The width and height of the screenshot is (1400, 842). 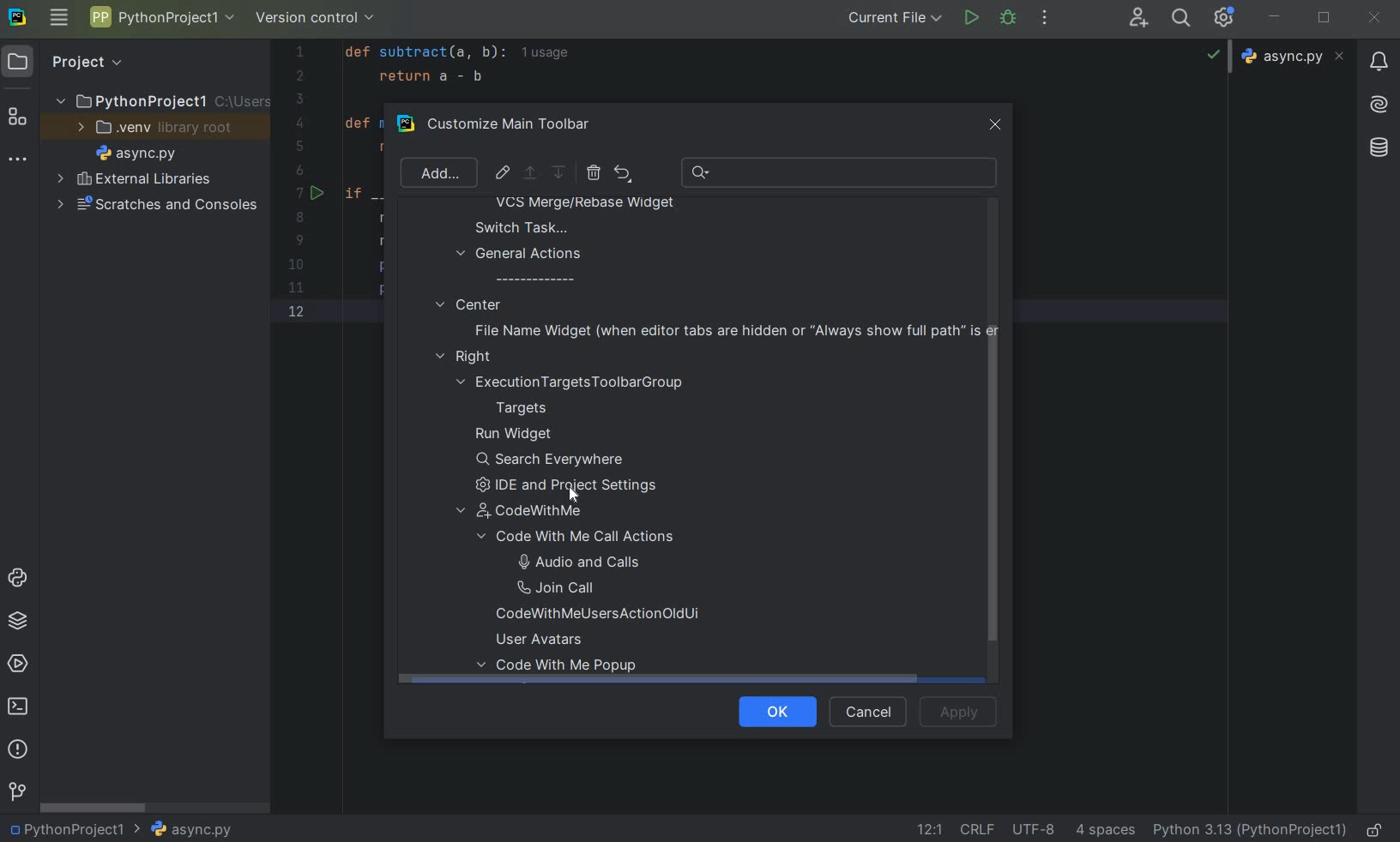 What do you see at coordinates (1295, 57) in the screenshot?
I see `async.py` at bounding box center [1295, 57].